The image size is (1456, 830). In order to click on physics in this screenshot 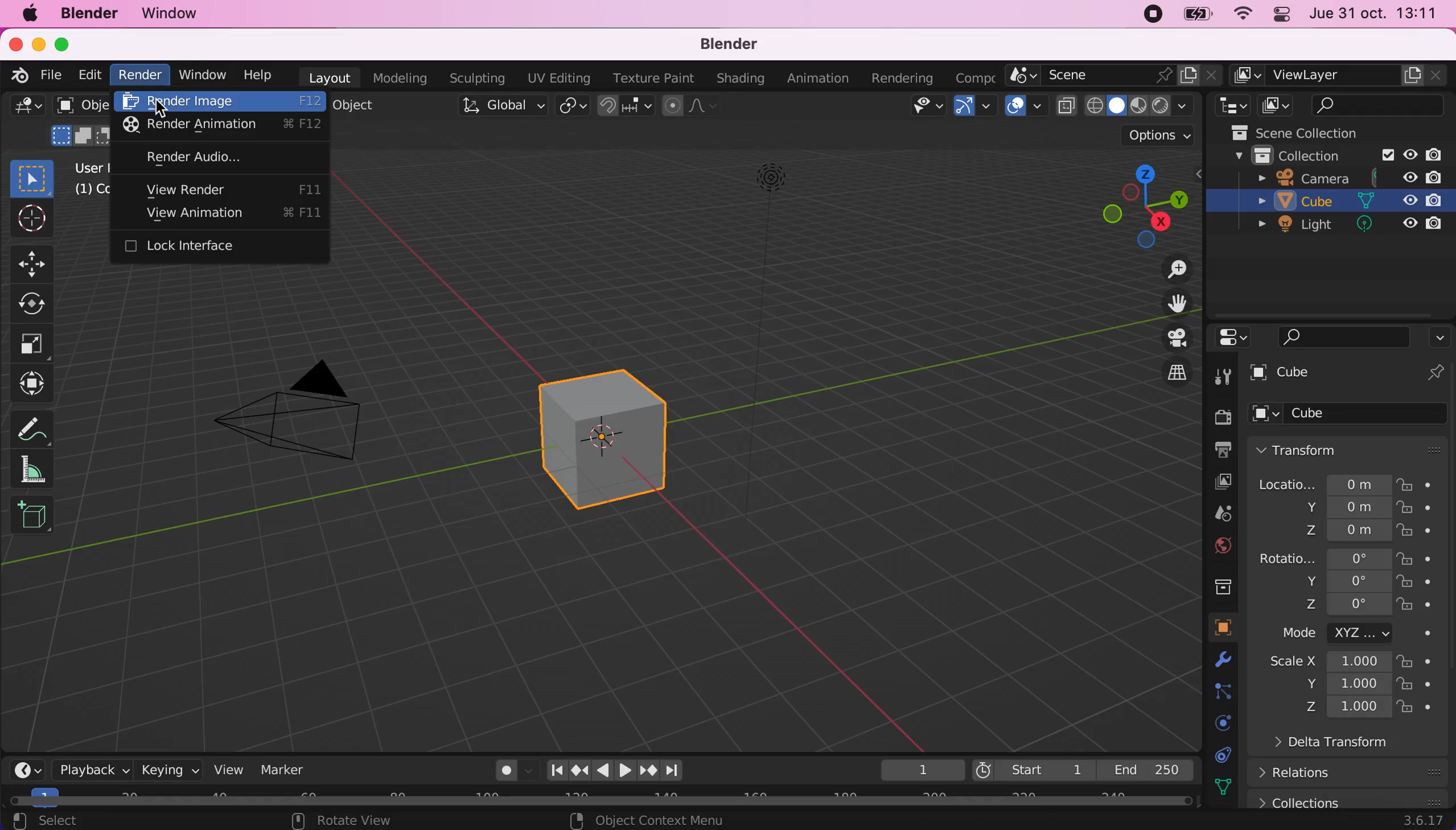, I will do `click(1229, 663)`.